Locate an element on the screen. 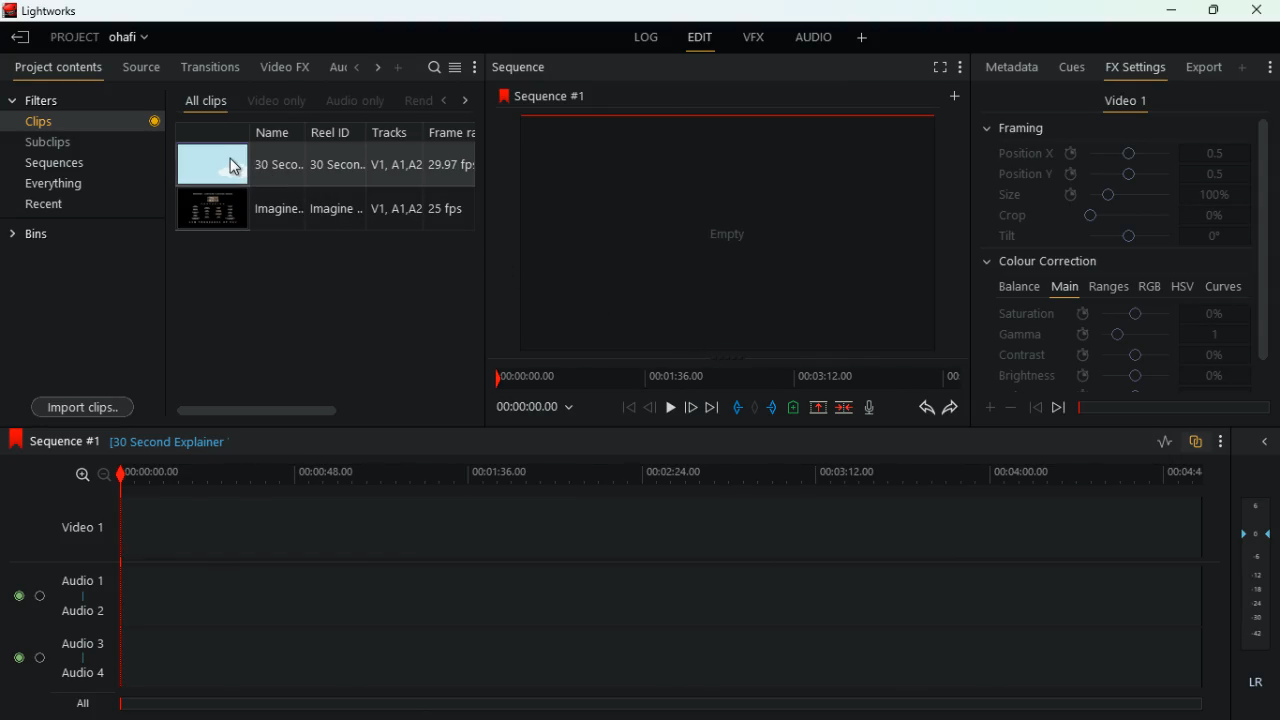 Image resolution: width=1280 pixels, height=720 pixels. join is located at coordinates (843, 408).